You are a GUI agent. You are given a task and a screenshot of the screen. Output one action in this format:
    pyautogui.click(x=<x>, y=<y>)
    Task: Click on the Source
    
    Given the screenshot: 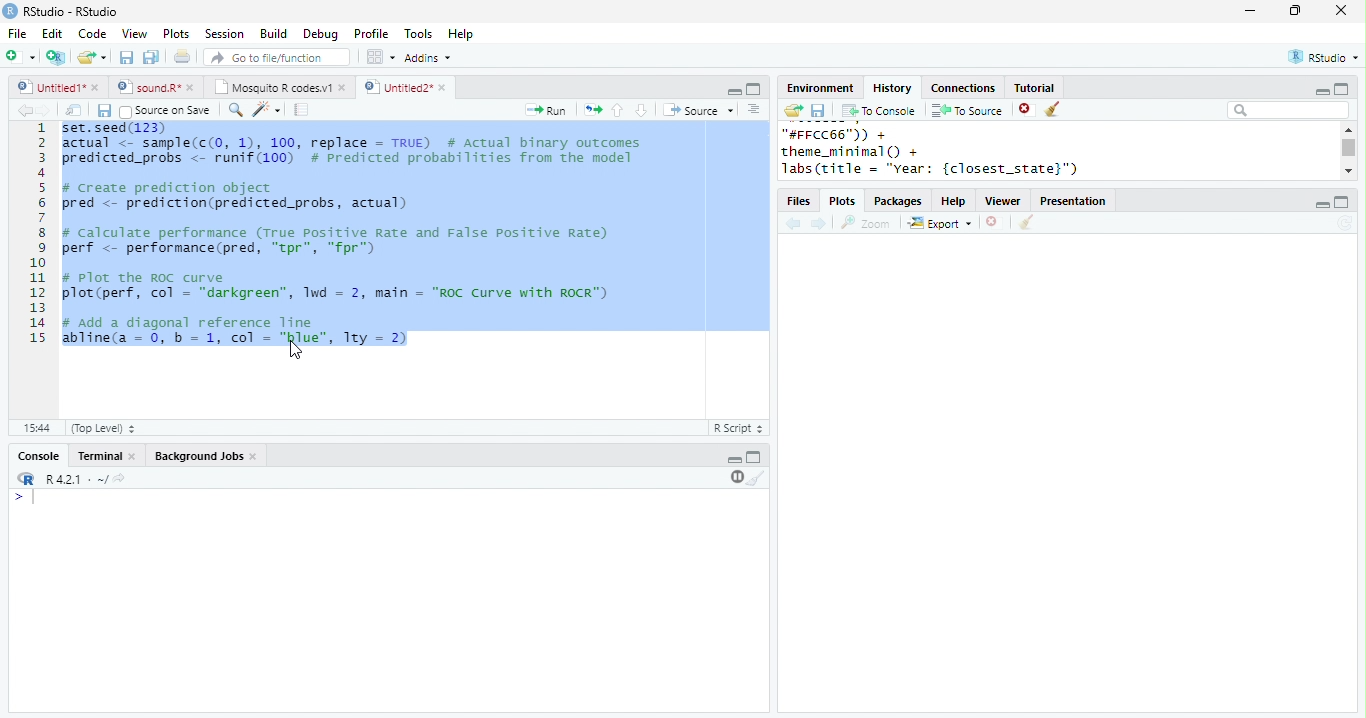 What is the action you would take?
    pyautogui.click(x=700, y=110)
    